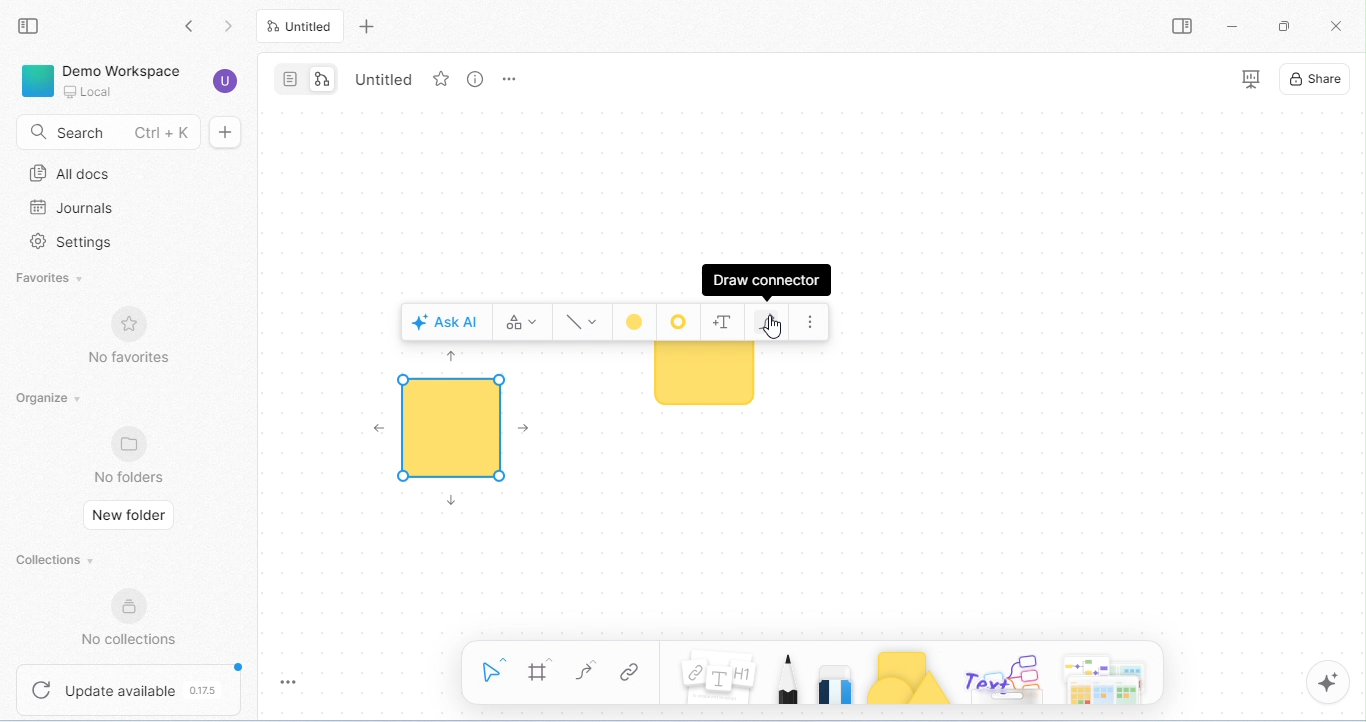 This screenshot has height=722, width=1366. What do you see at coordinates (1105, 677) in the screenshot?
I see `arrows and more` at bounding box center [1105, 677].